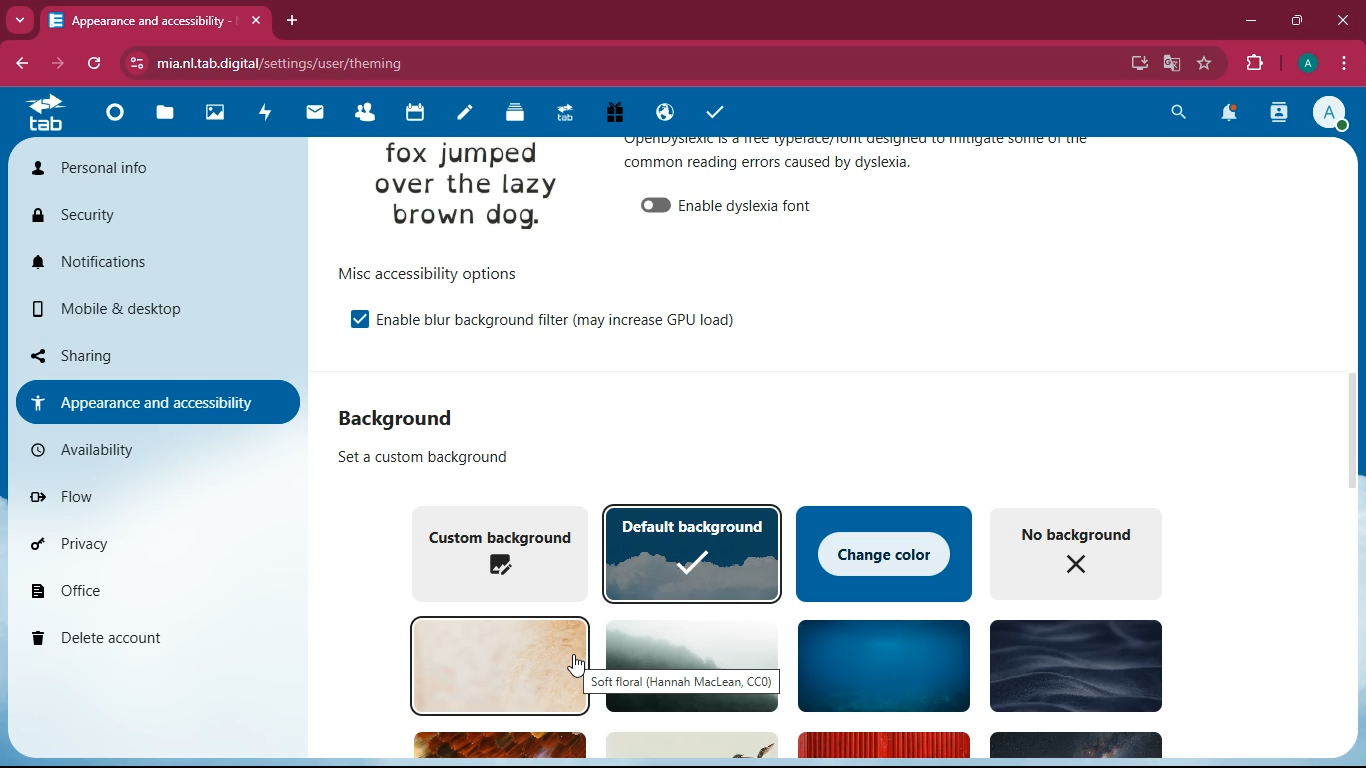 This screenshot has height=768, width=1366. I want to click on images, so click(218, 114).